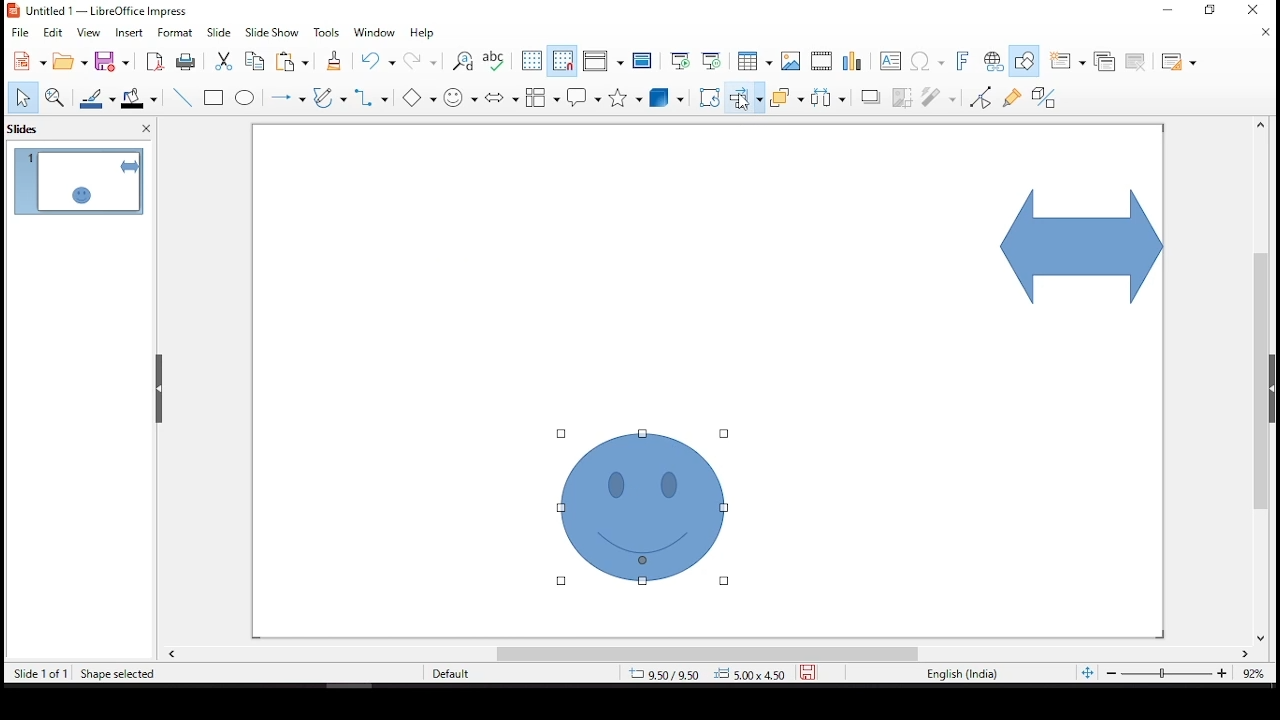  Describe the element at coordinates (665, 98) in the screenshot. I see `3D objects` at that location.